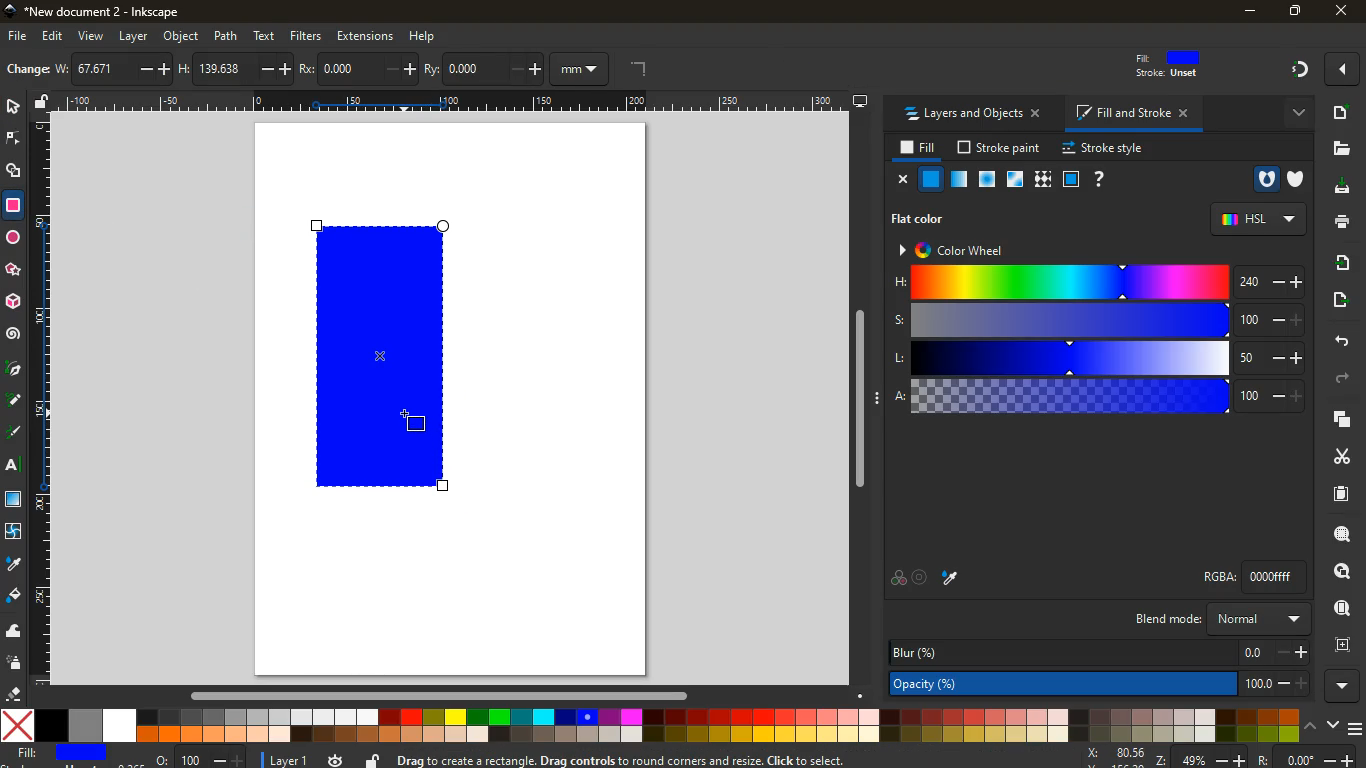  What do you see at coordinates (1345, 684) in the screenshot?
I see `more` at bounding box center [1345, 684].